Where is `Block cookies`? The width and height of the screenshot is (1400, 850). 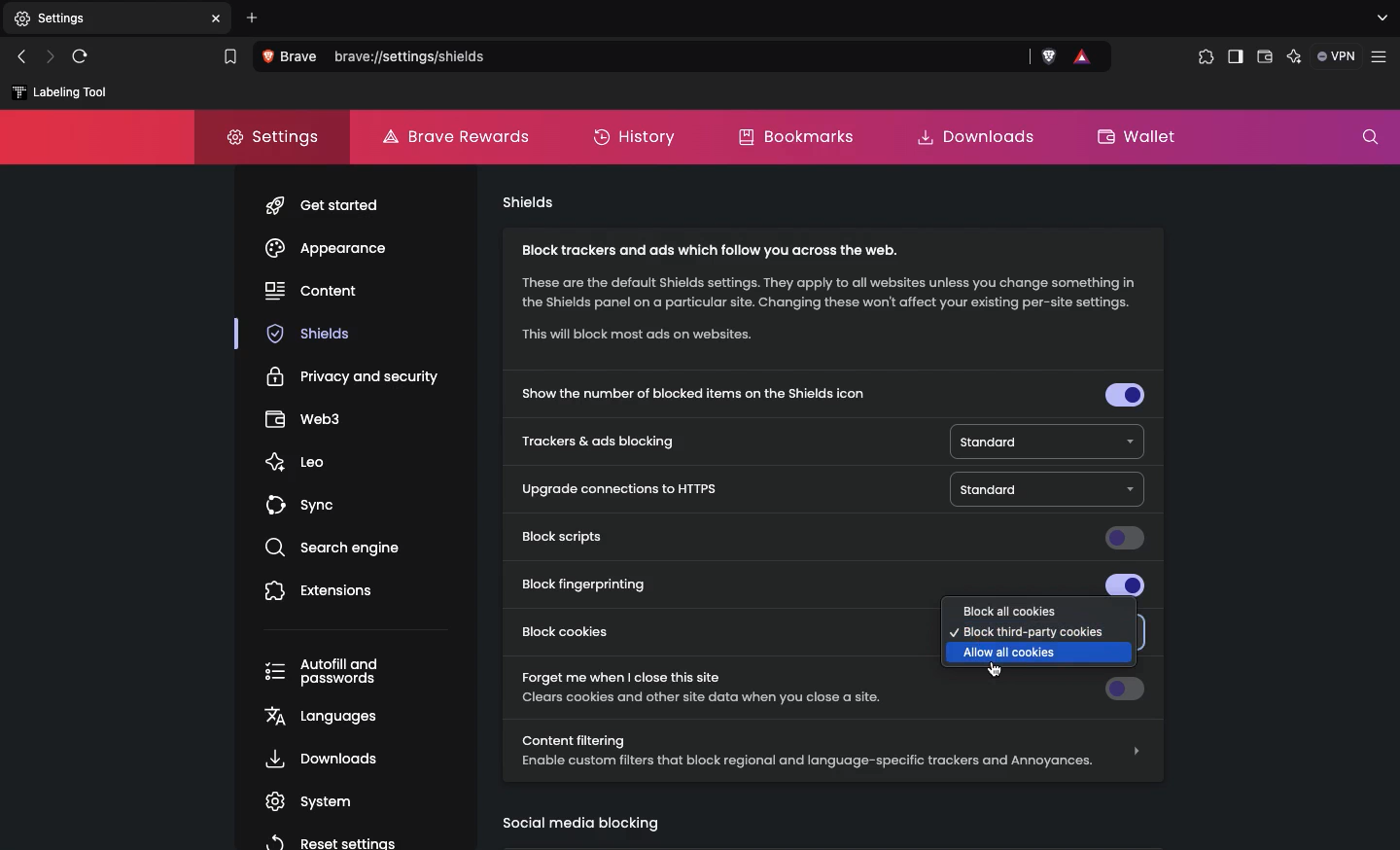
Block cookies is located at coordinates (579, 632).